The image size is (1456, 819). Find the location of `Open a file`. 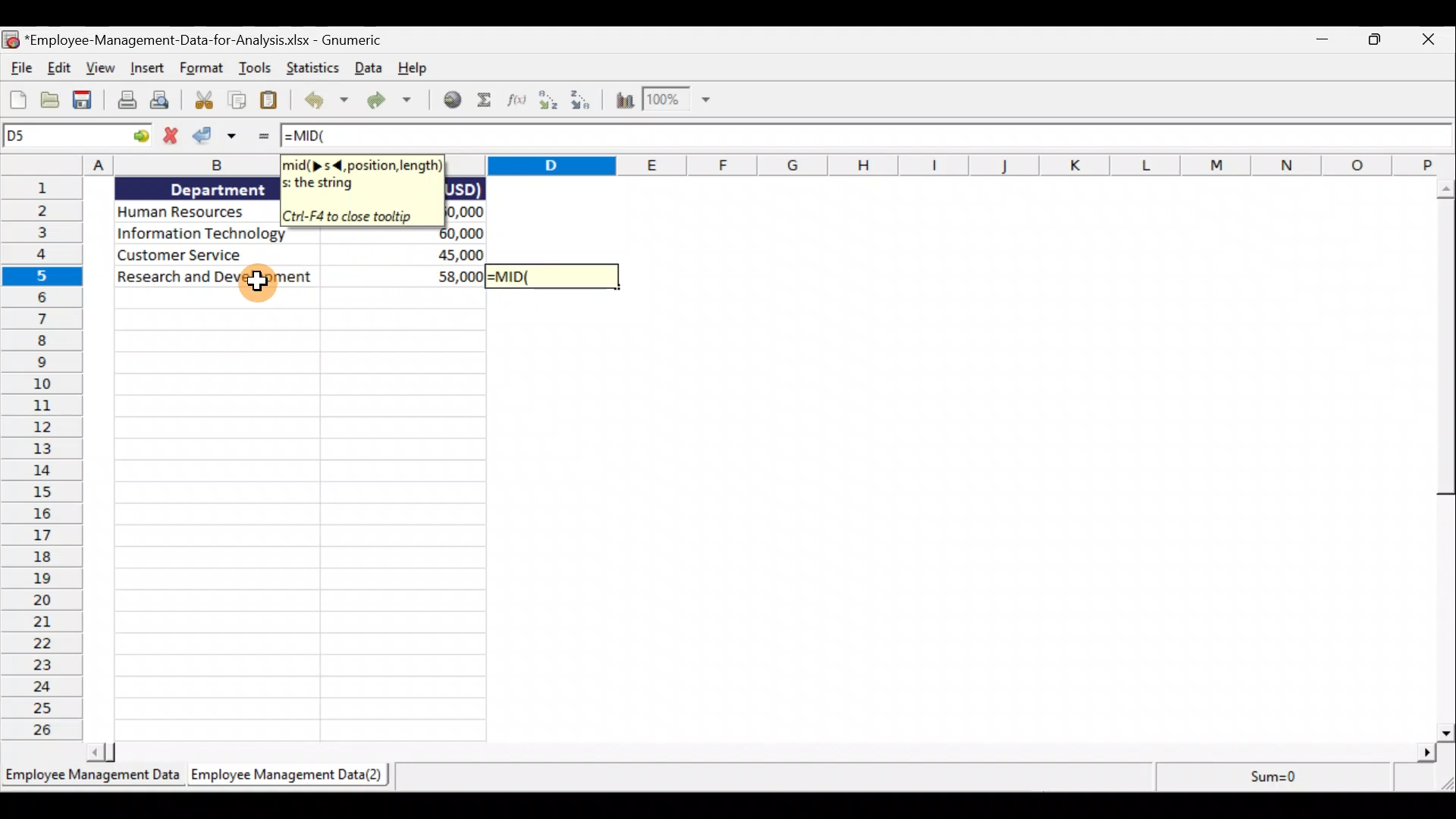

Open a file is located at coordinates (52, 99).